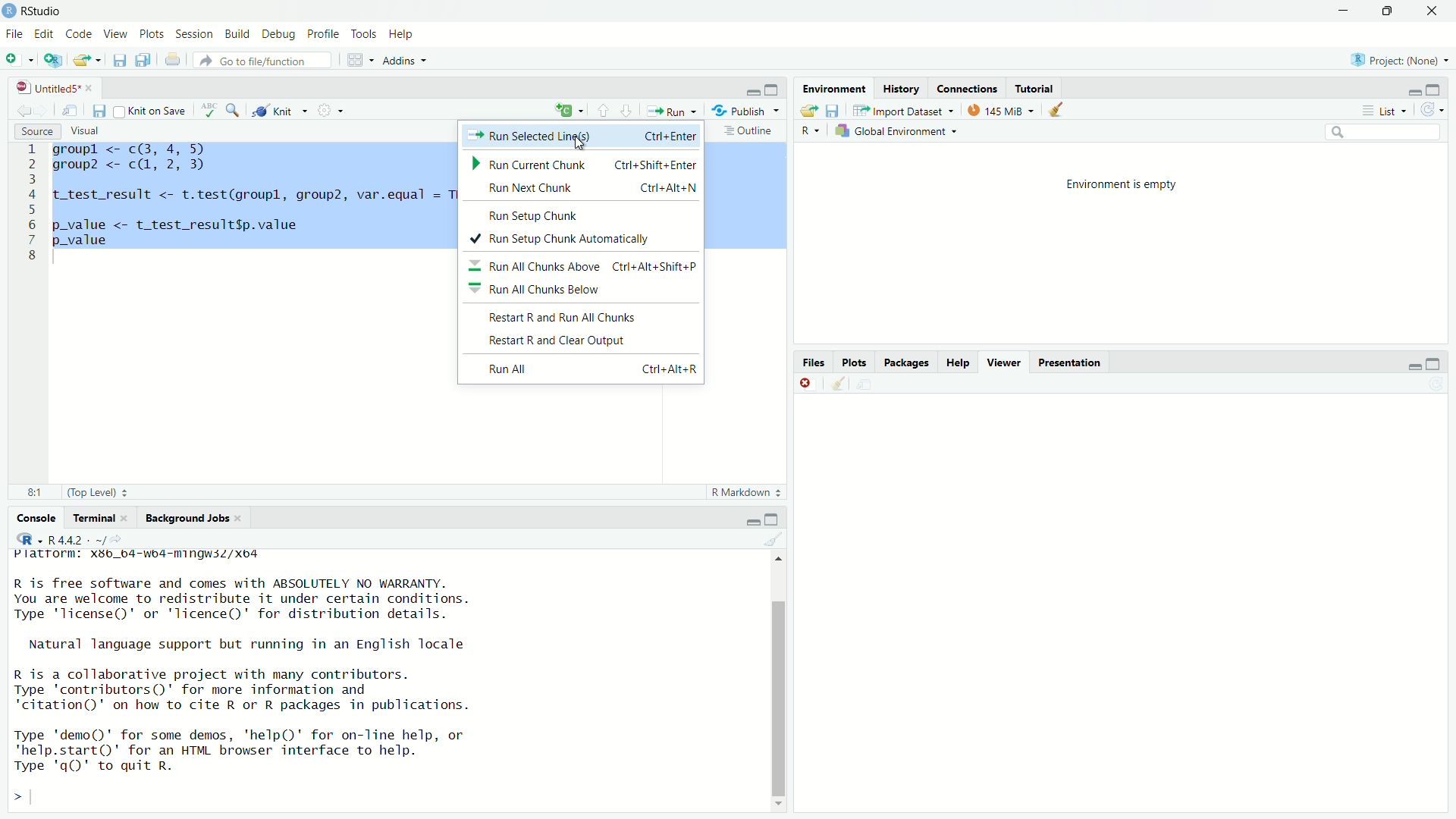 The width and height of the screenshot is (1456, 819). I want to click on re-run previous code, so click(568, 111).